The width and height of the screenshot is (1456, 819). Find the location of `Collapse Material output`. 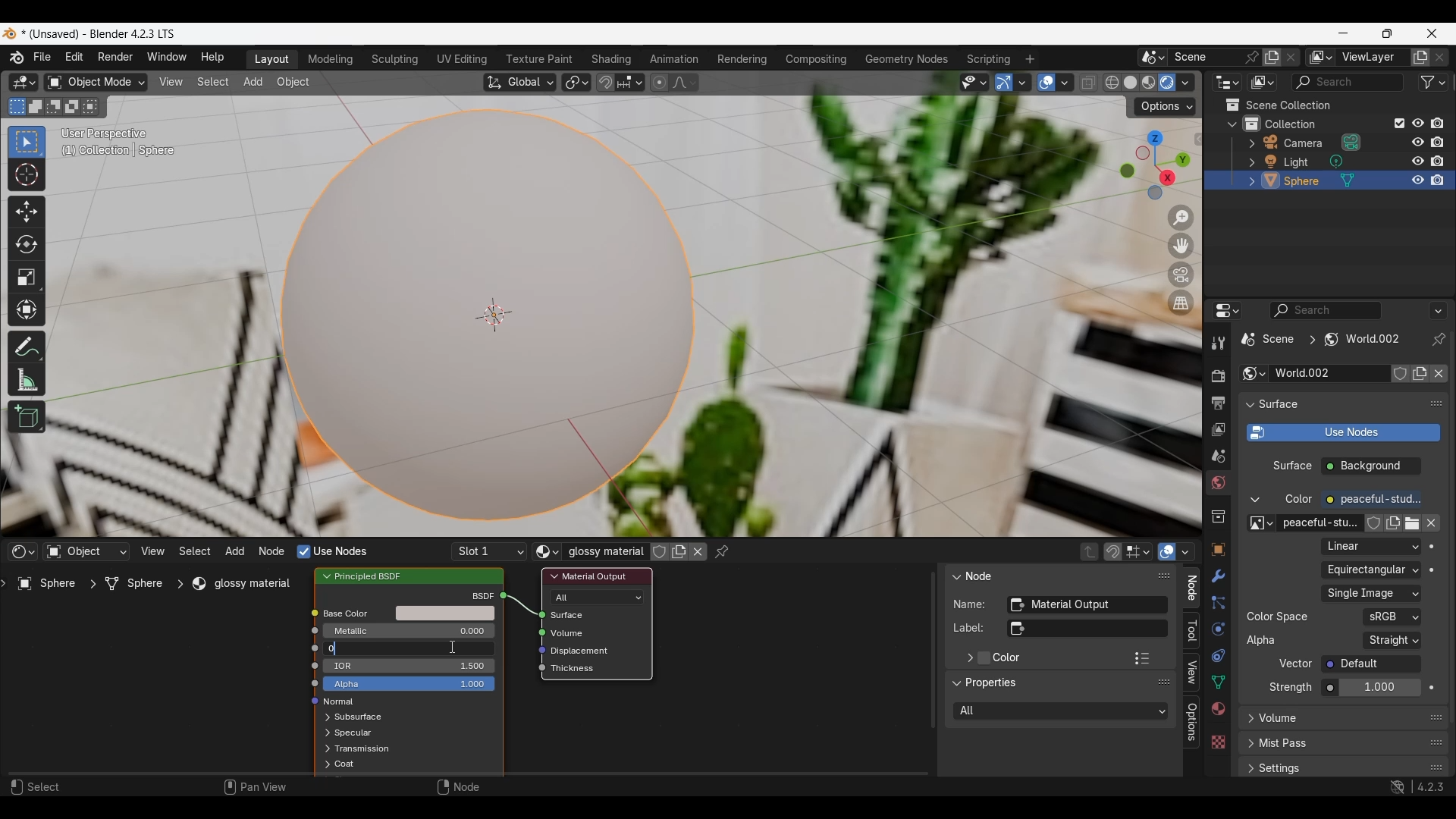

Collapse Material output is located at coordinates (554, 576).